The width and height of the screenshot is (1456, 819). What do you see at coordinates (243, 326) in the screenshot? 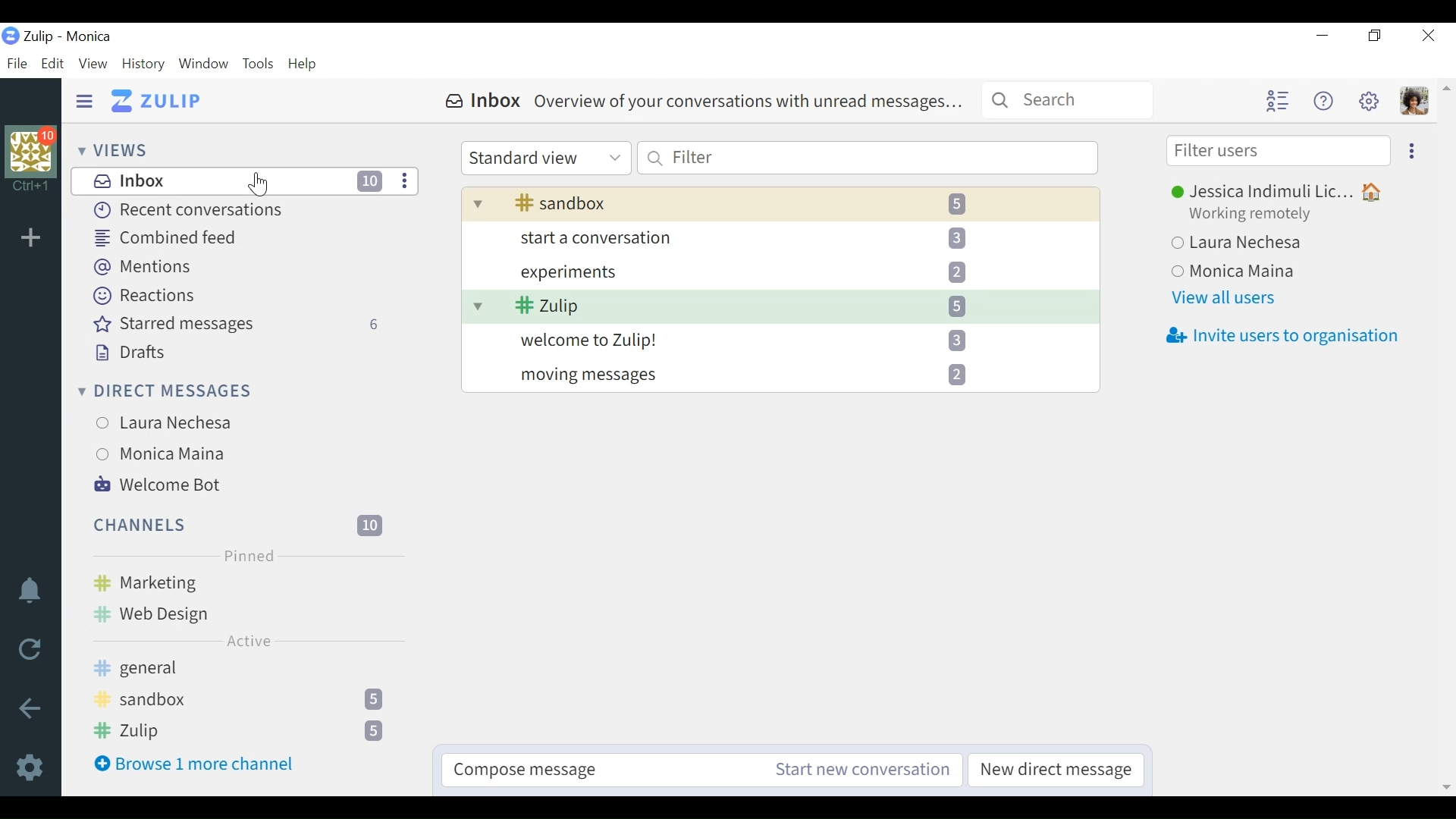
I see `Starred messages` at bounding box center [243, 326].